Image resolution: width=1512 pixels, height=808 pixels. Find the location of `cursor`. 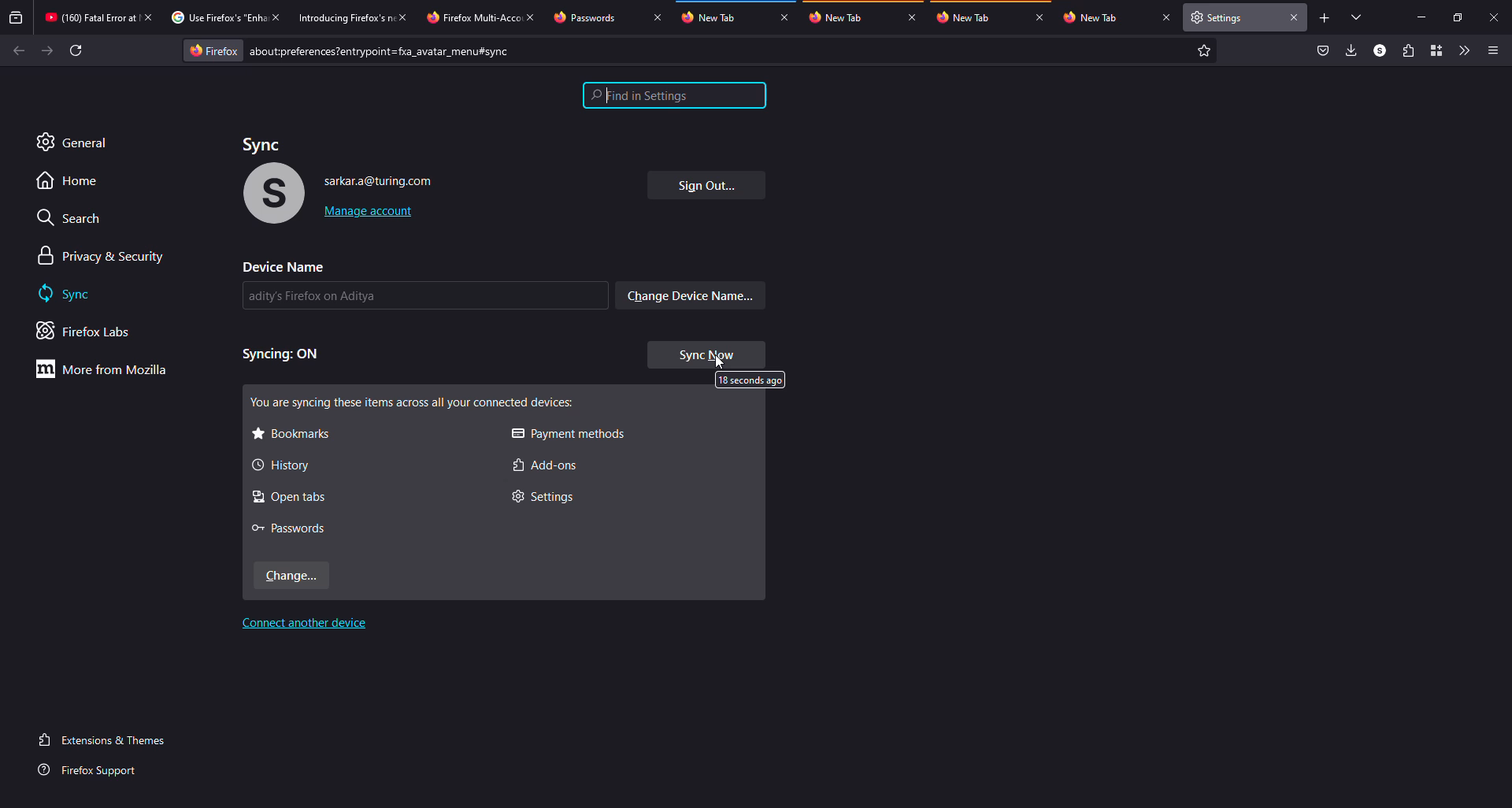

cursor is located at coordinates (721, 362).